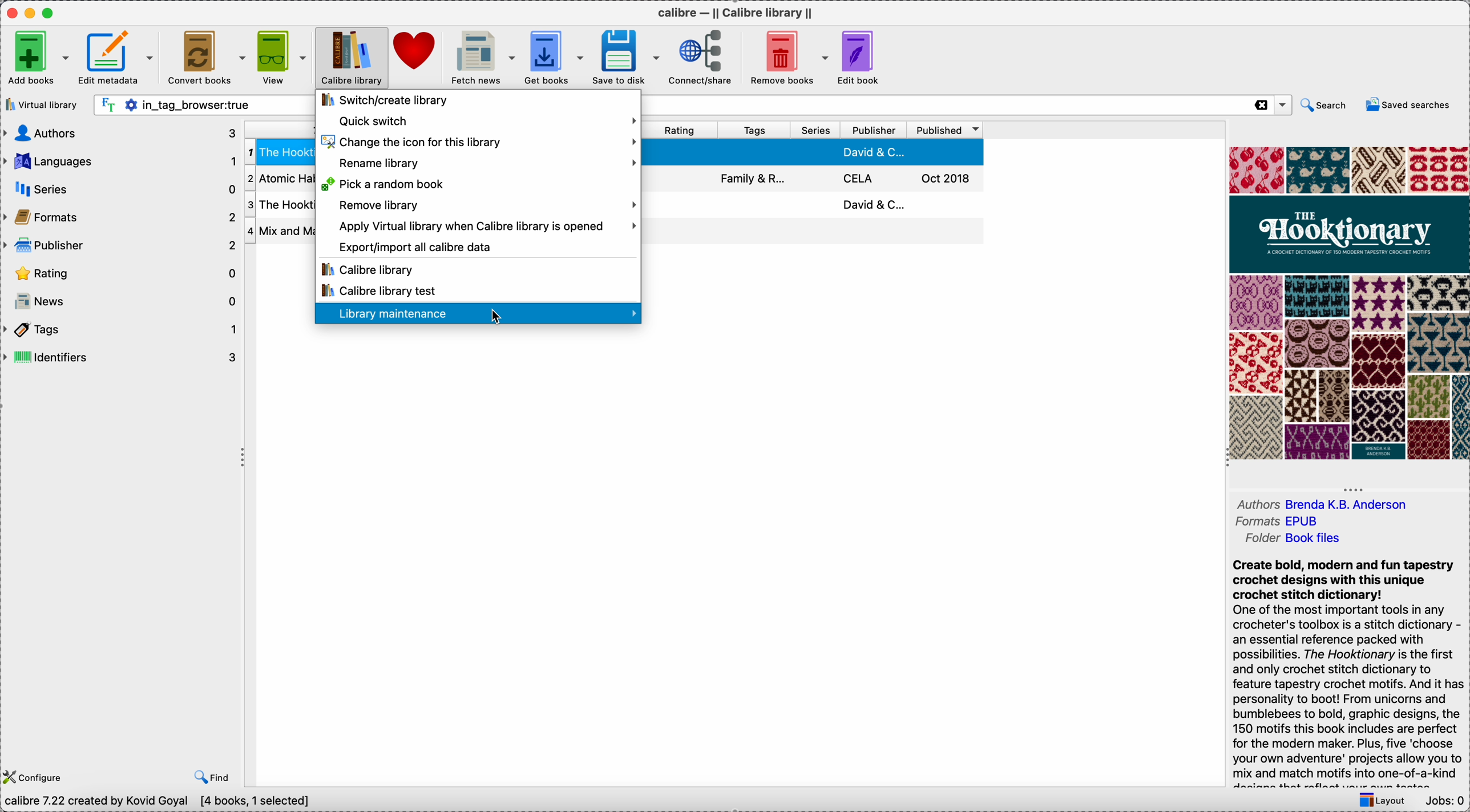 The height and width of the screenshot is (812, 1470). Describe the element at coordinates (1350, 673) in the screenshot. I see `synopsis` at that location.